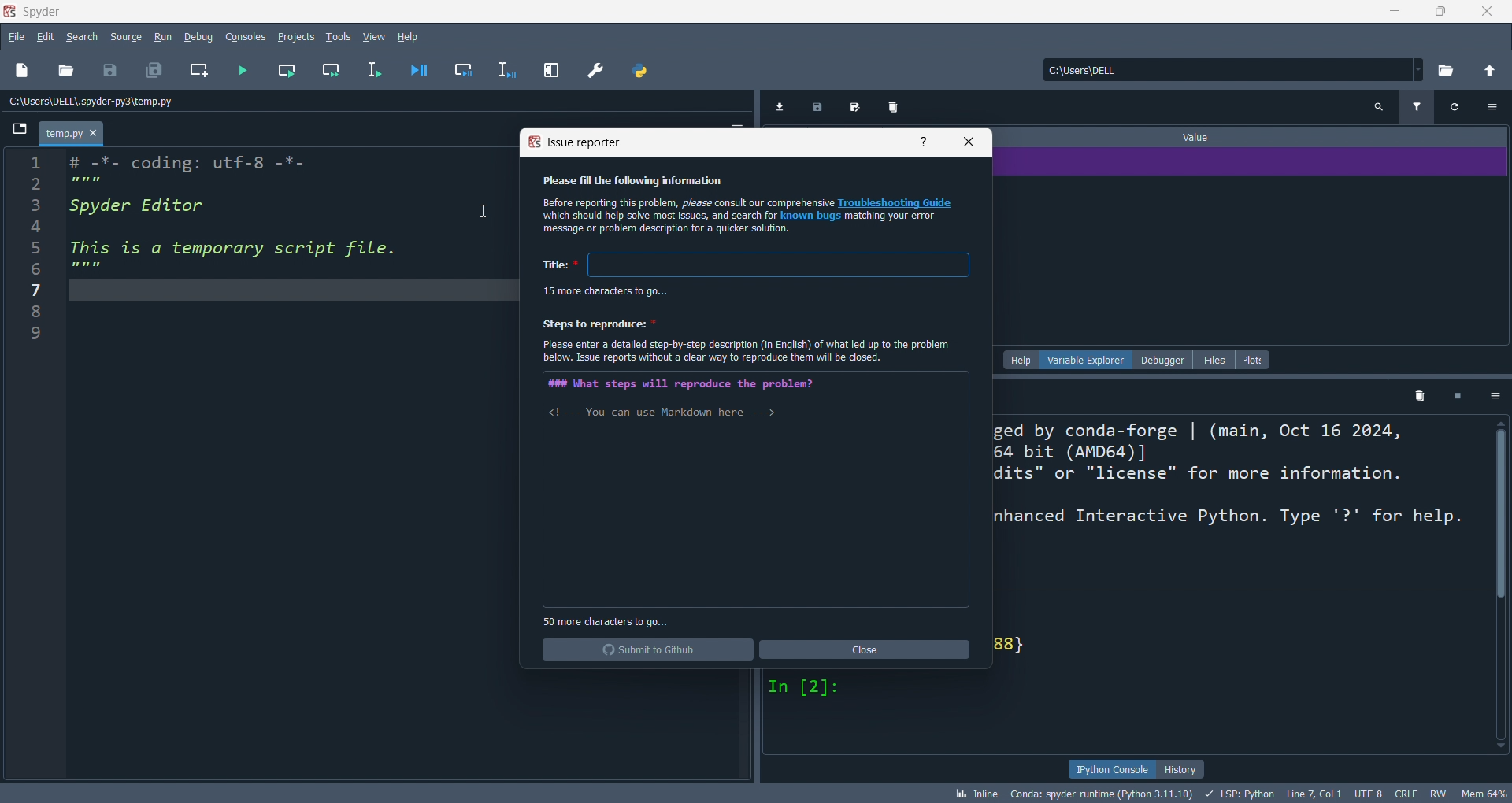  I want to click on Troubleshooting Guide, so click(897, 203).